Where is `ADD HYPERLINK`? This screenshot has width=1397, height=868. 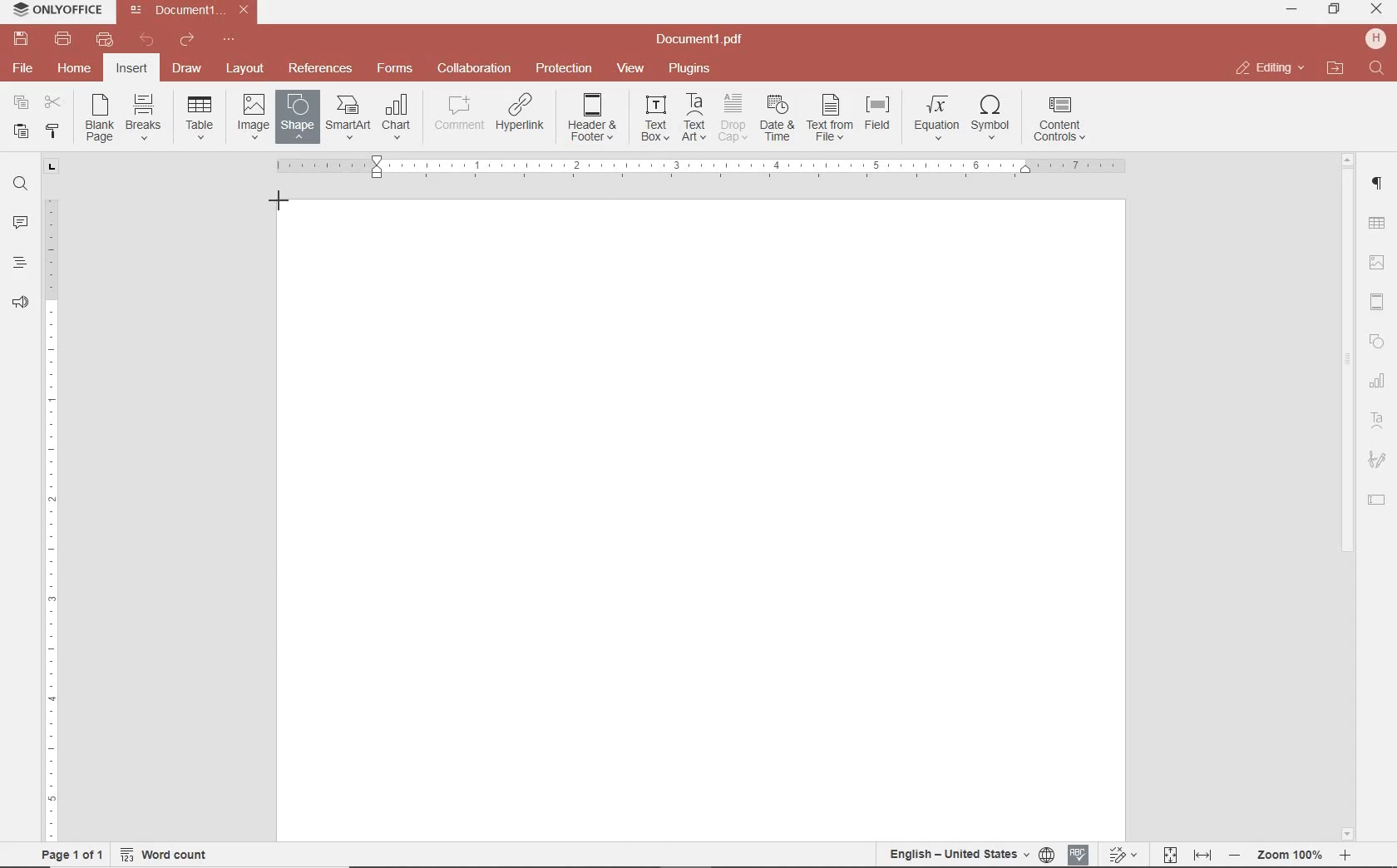
ADD HYPERLINK is located at coordinates (521, 116).